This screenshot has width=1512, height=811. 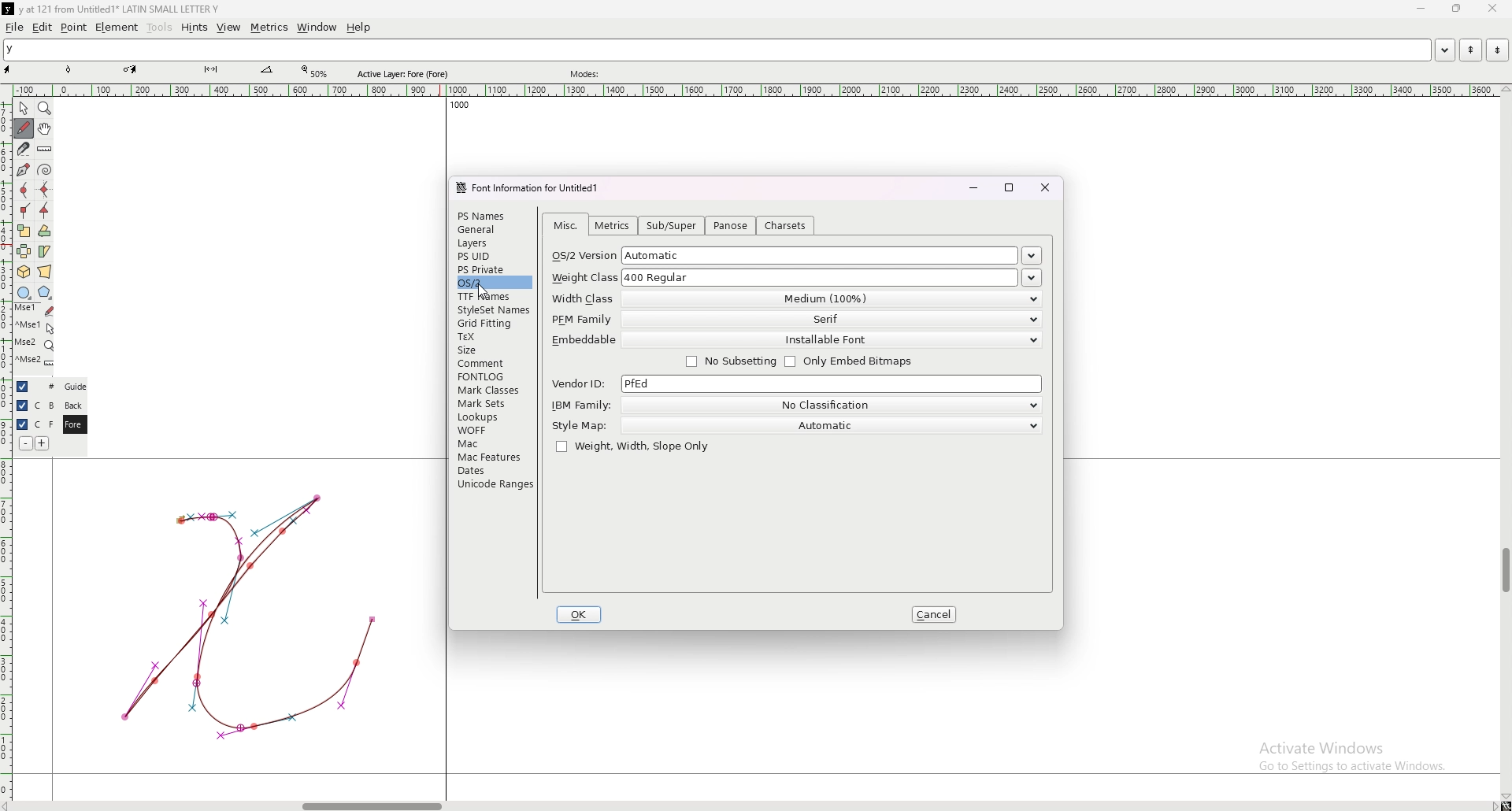 I want to click on metrics, so click(x=269, y=28).